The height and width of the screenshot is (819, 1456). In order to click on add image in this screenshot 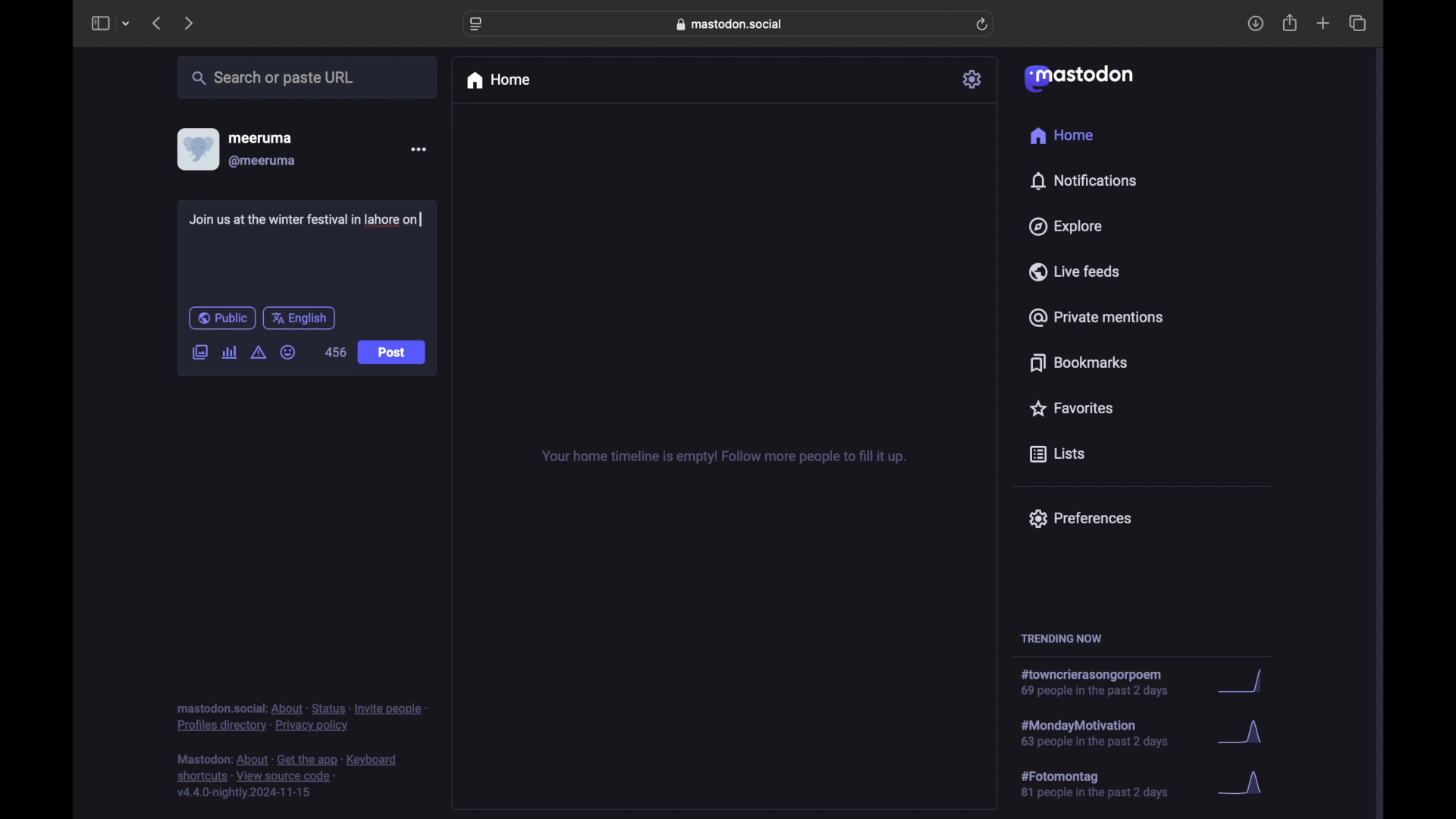, I will do `click(199, 353)`.